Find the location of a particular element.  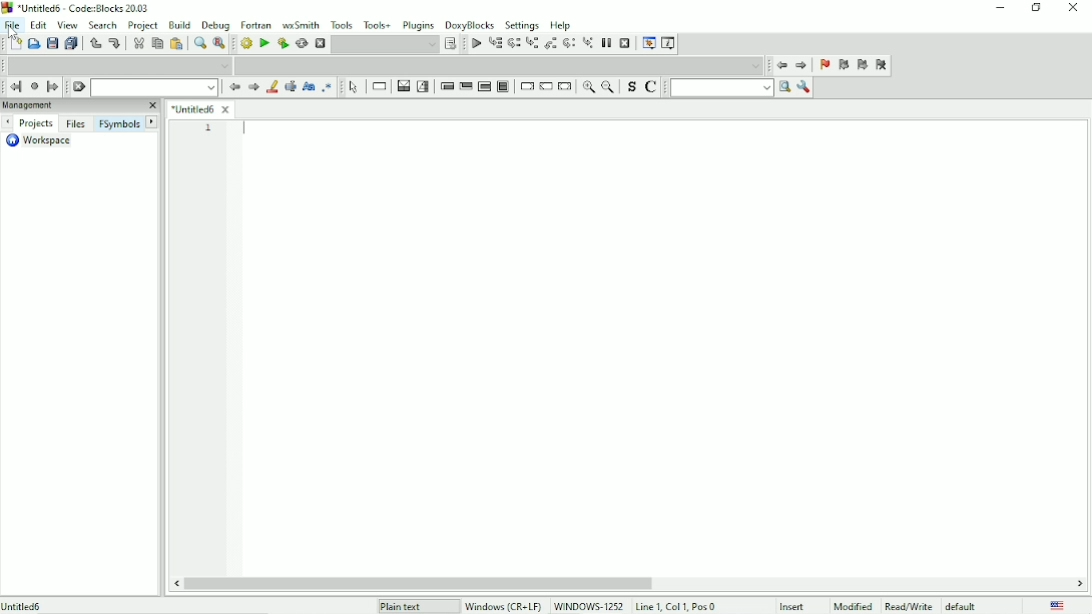

Fortran is located at coordinates (256, 24).